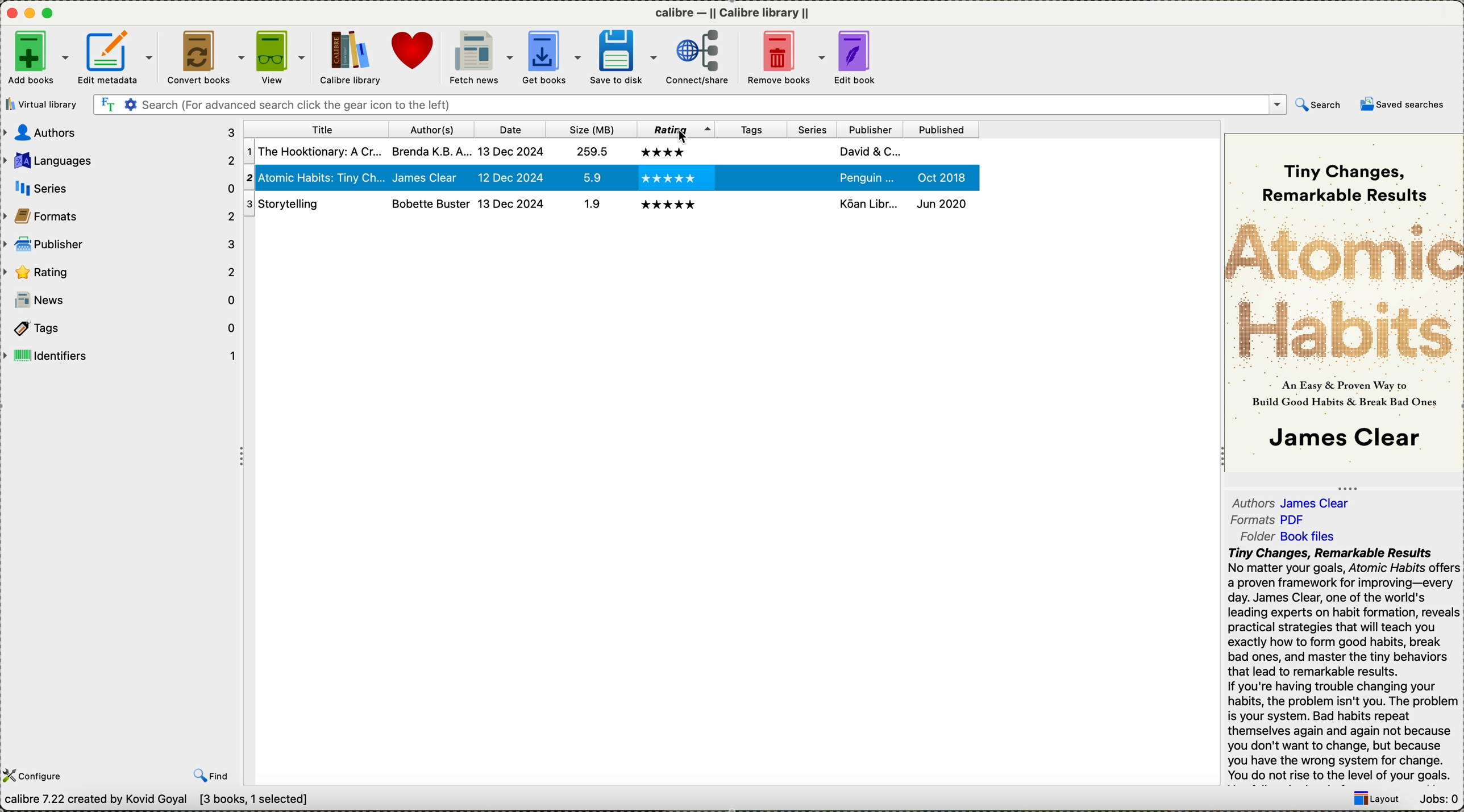  Describe the element at coordinates (1218, 458) in the screenshot. I see `Collapse` at that location.